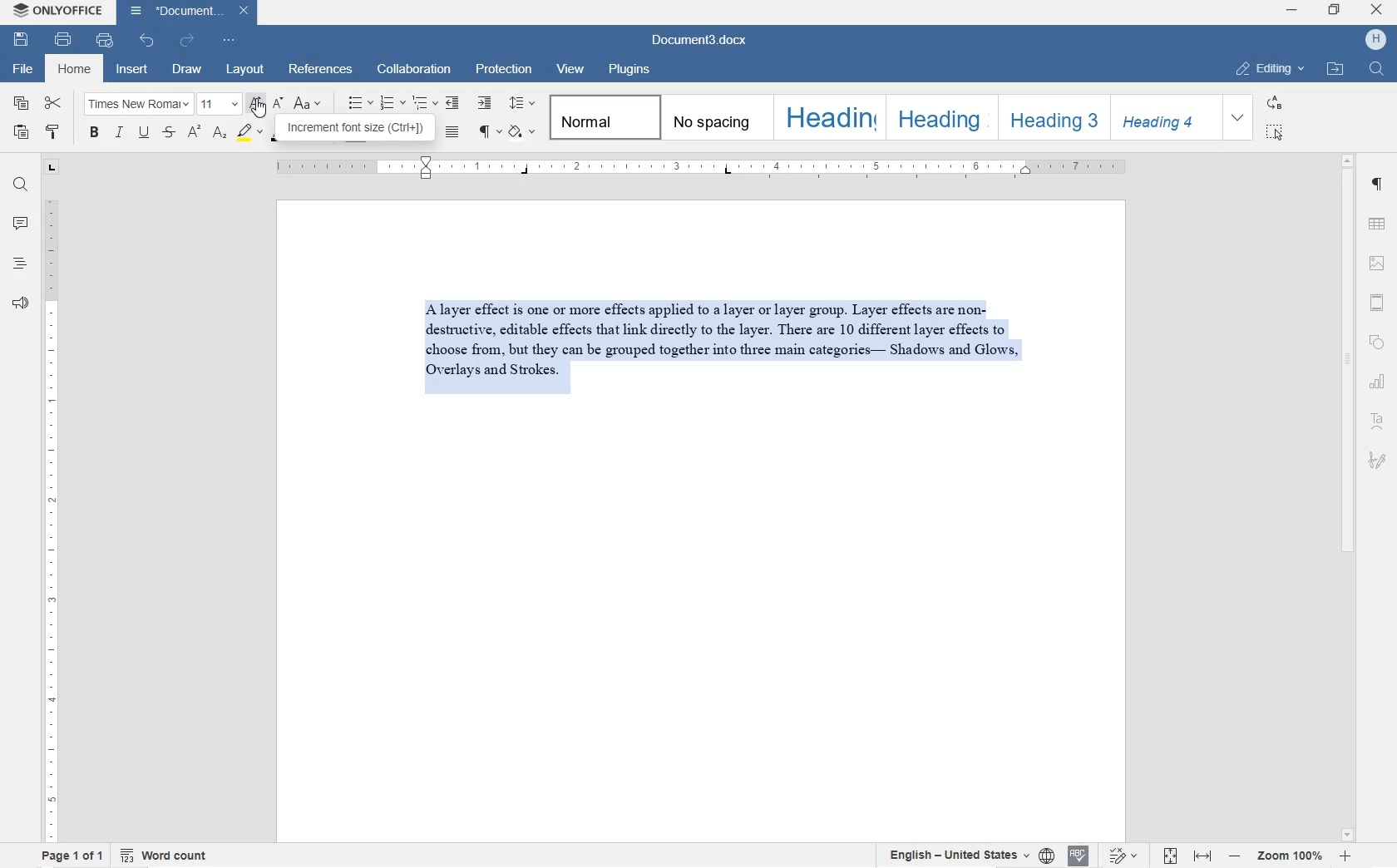  I want to click on SHAPE, so click(1378, 338).